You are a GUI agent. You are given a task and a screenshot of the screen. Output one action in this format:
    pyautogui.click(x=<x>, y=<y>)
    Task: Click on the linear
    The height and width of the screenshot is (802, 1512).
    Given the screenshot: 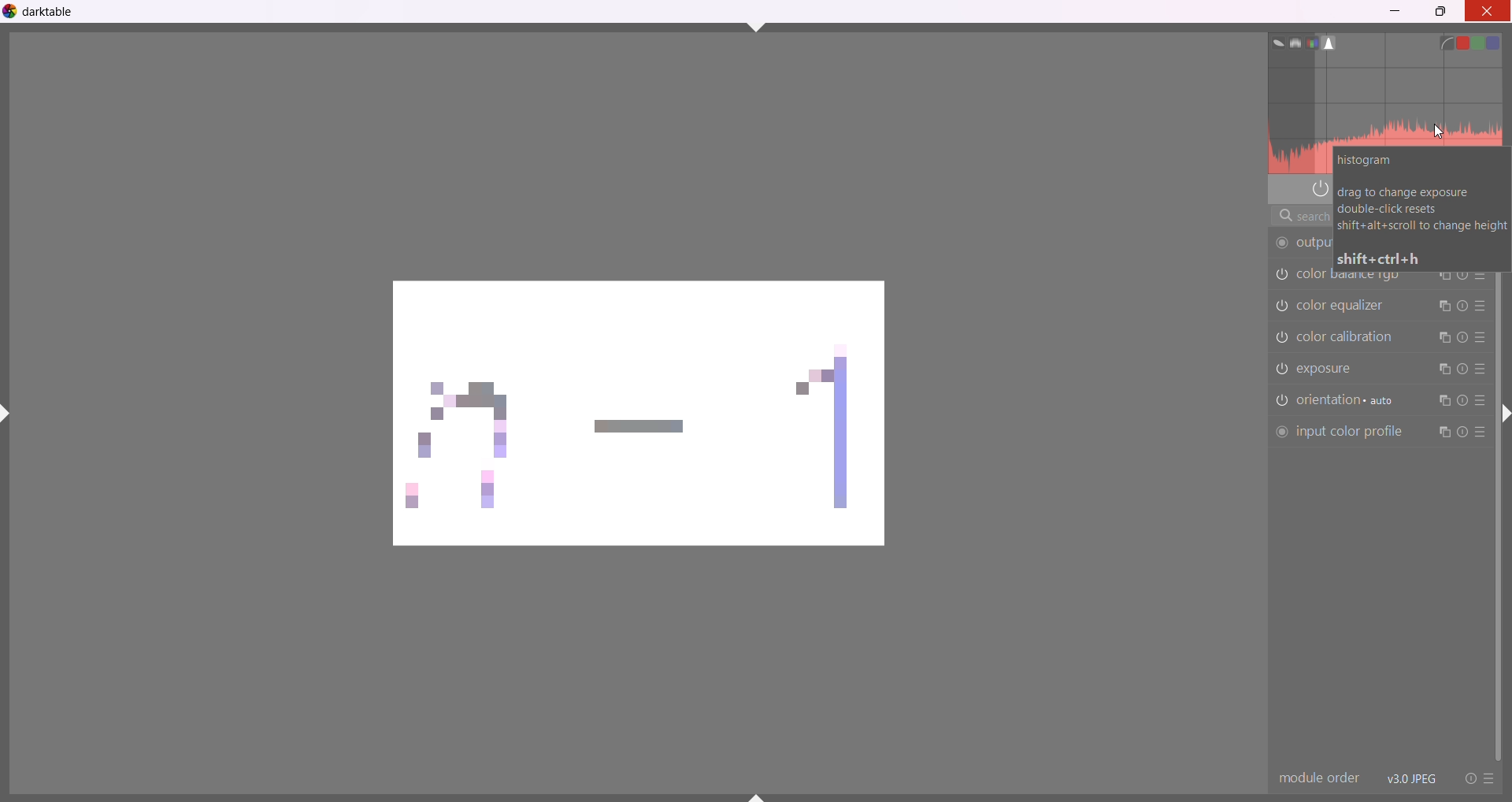 What is the action you would take?
    pyautogui.click(x=1447, y=42)
    